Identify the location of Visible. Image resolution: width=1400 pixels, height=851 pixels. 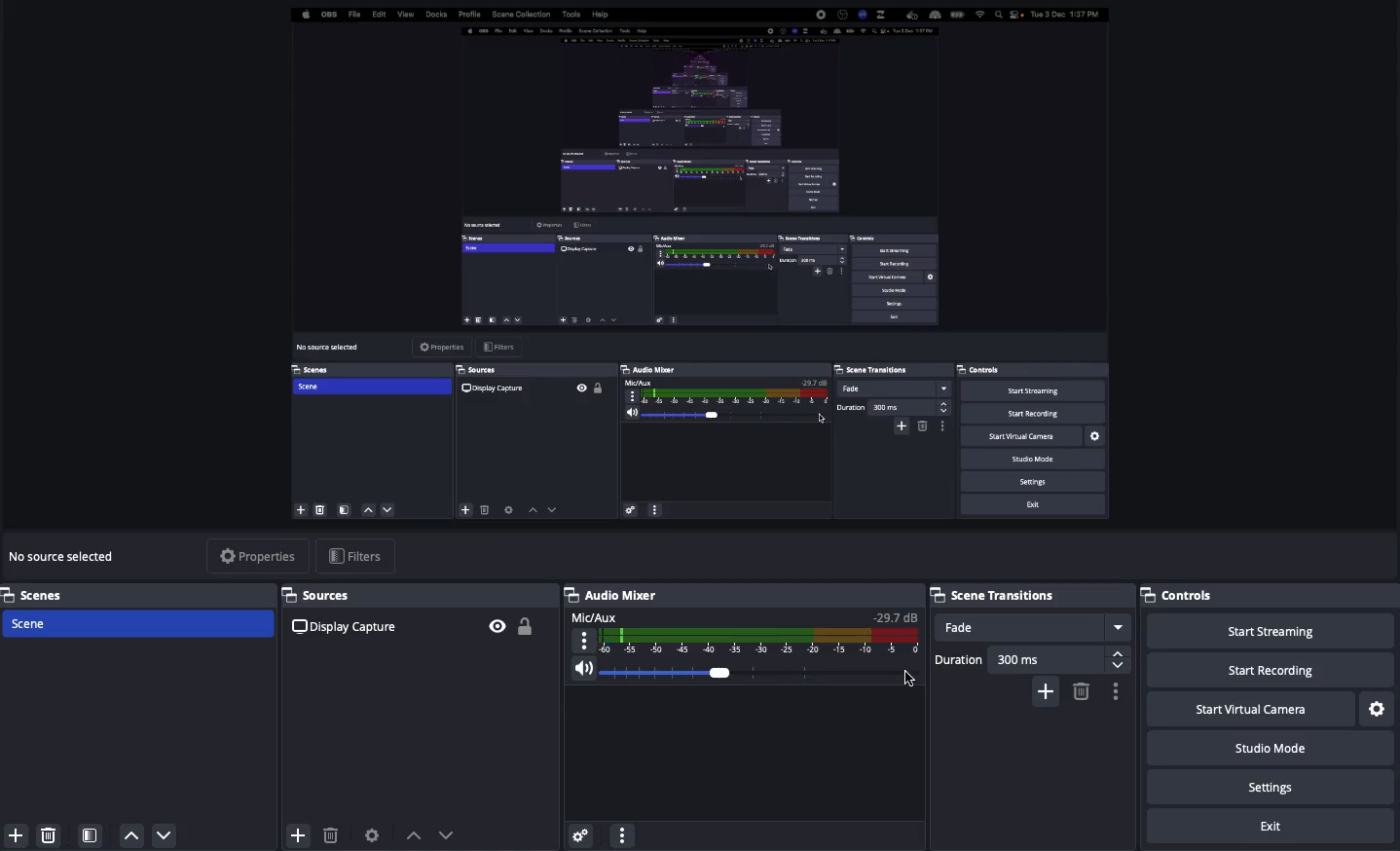
(497, 624).